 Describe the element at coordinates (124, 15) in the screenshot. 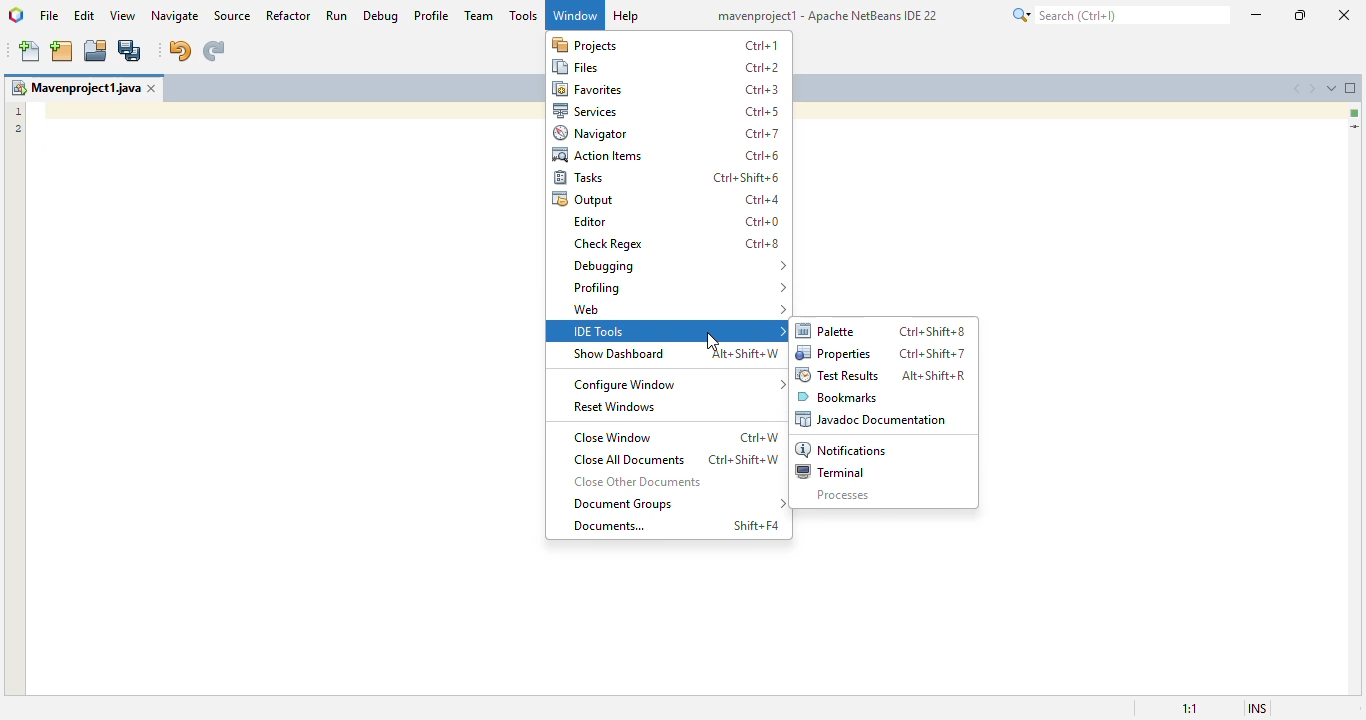

I see `view` at that location.